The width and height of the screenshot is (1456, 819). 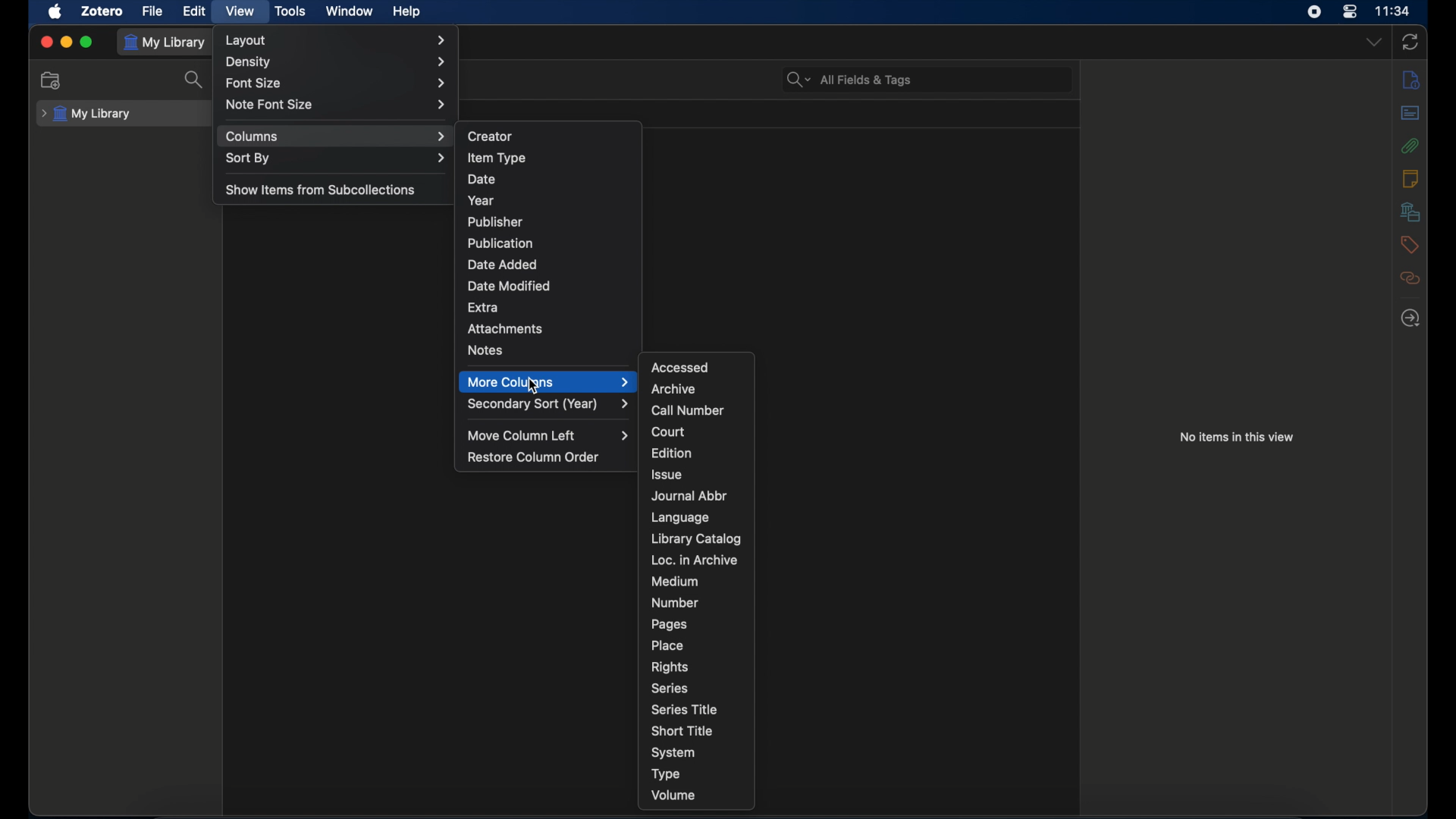 I want to click on publication, so click(x=500, y=243).